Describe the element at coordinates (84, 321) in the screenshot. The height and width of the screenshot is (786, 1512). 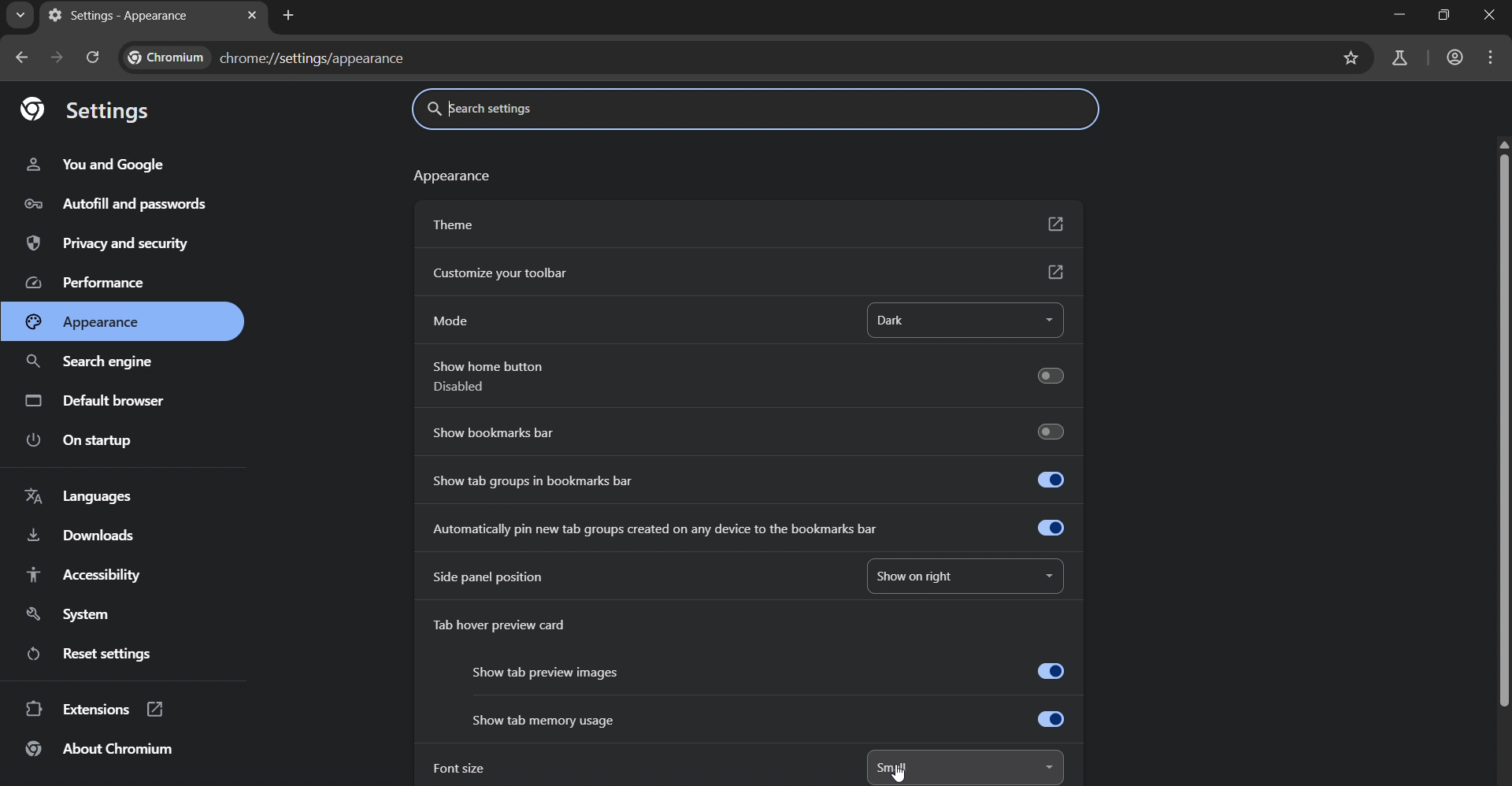
I see `appearance` at that location.